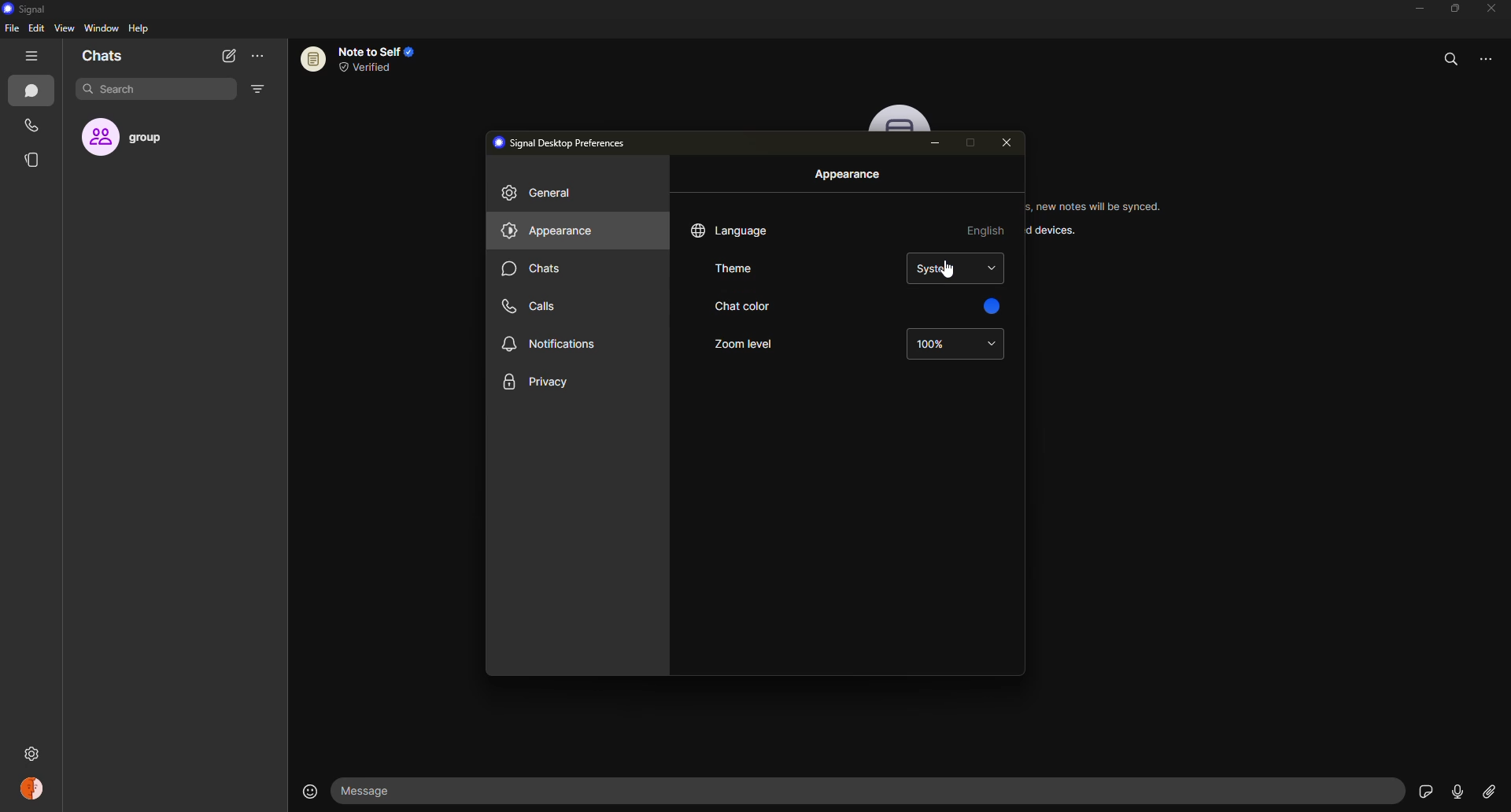 The height and width of the screenshot is (812, 1511). I want to click on chat color, so click(741, 306).